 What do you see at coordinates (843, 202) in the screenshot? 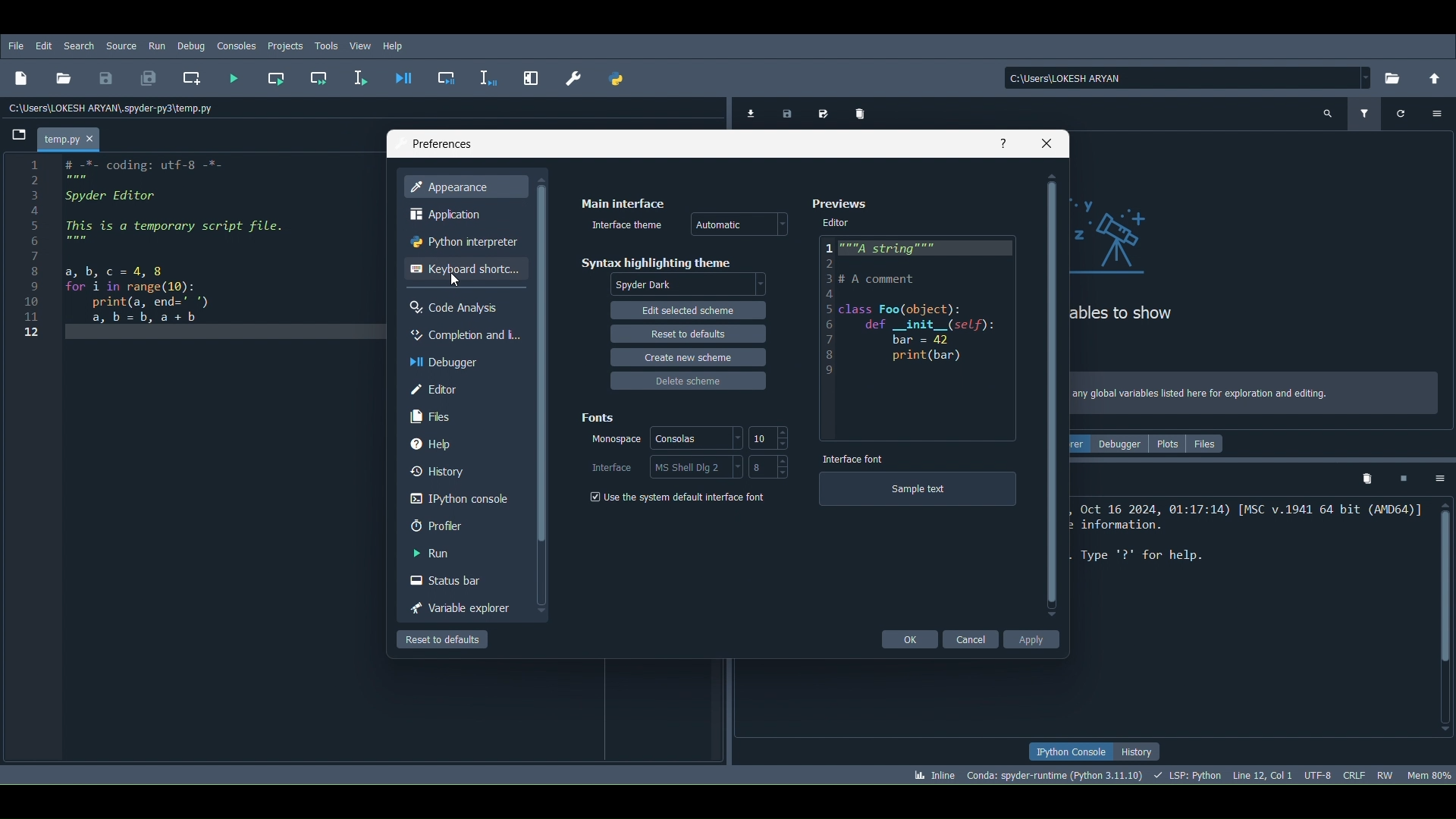
I see `Previewers` at bounding box center [843, 202].